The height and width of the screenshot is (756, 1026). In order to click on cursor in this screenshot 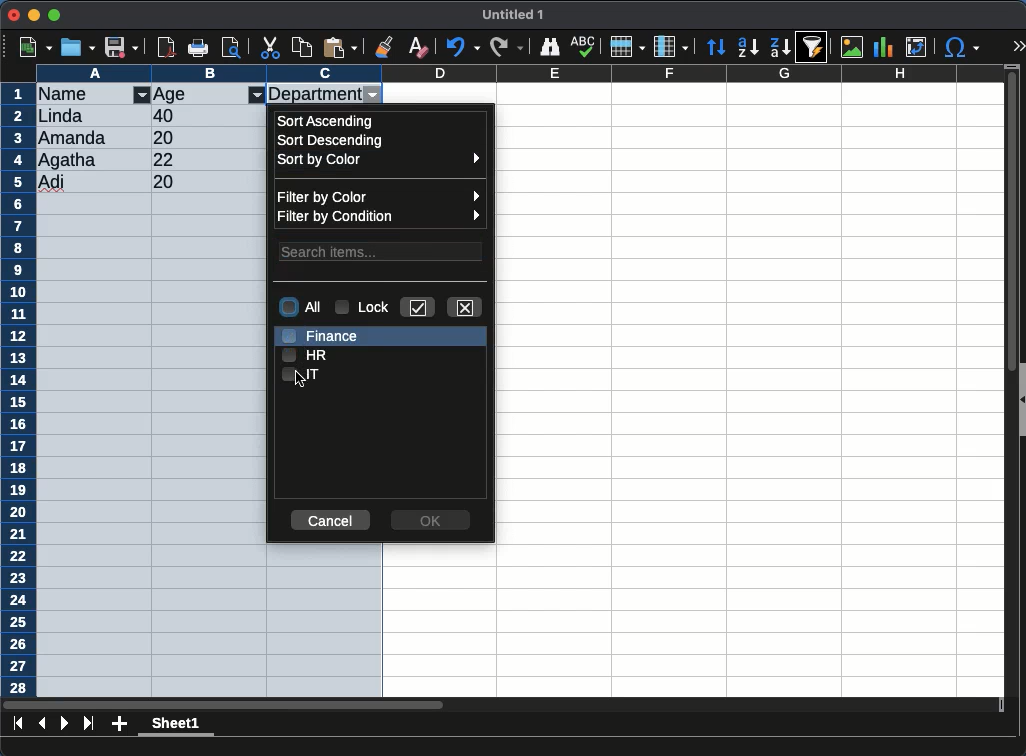, I will do `click(304, 382)`.